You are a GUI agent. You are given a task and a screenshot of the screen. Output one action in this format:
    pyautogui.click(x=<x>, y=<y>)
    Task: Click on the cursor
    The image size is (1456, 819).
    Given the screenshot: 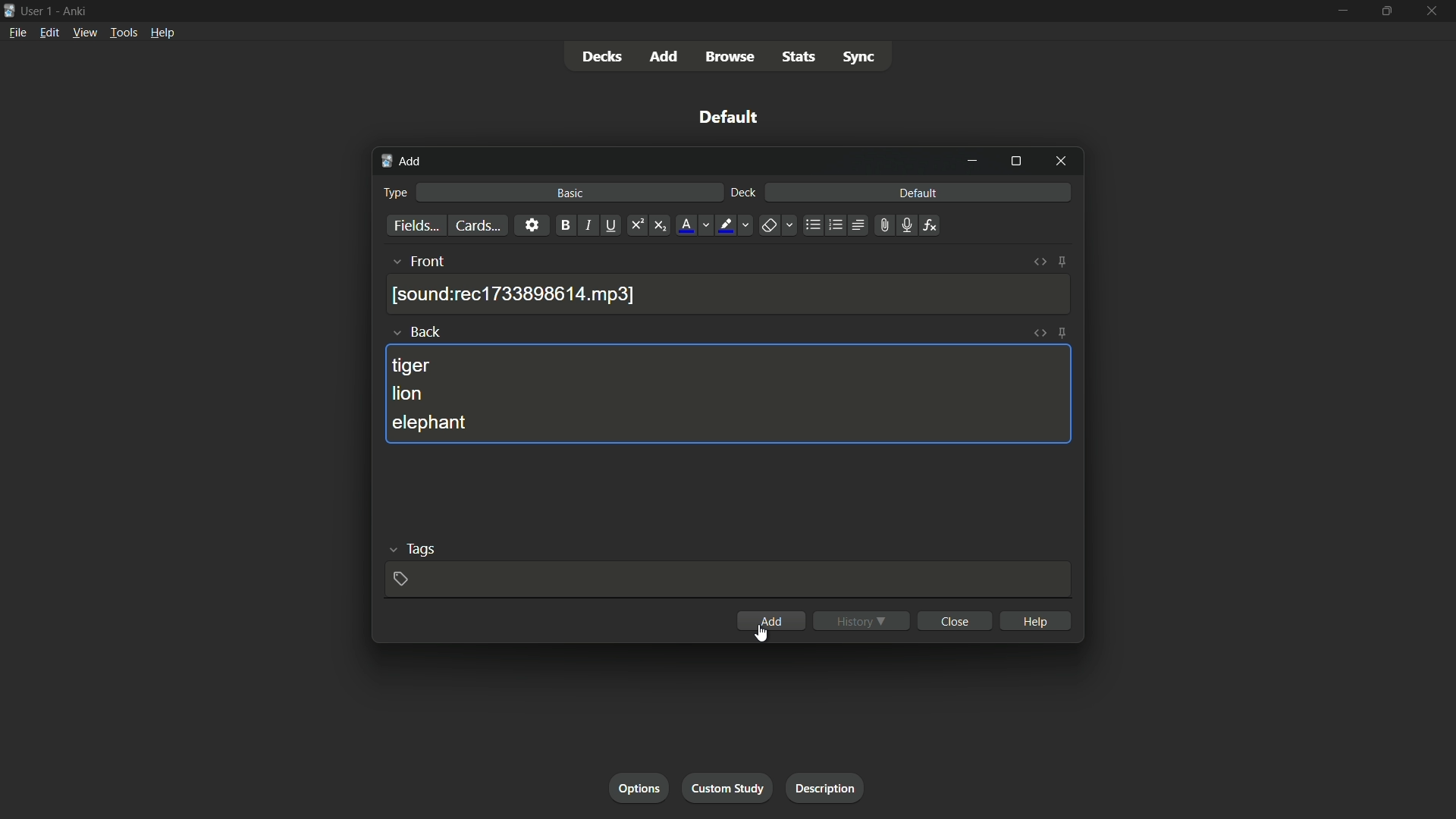 What is the action you would take?
    pyautogui.click(x=765, y=635)
    